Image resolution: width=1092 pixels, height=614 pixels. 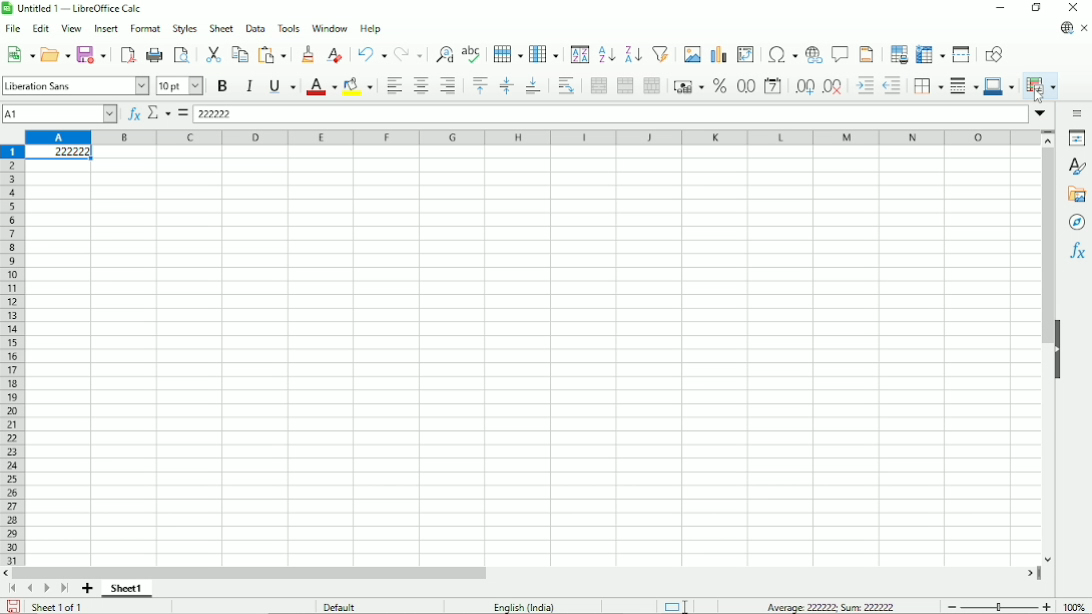 What do you see at coordinates (1076, 222) in the screenshot?
I see `Navigator` at bounding box center [1076, 222].